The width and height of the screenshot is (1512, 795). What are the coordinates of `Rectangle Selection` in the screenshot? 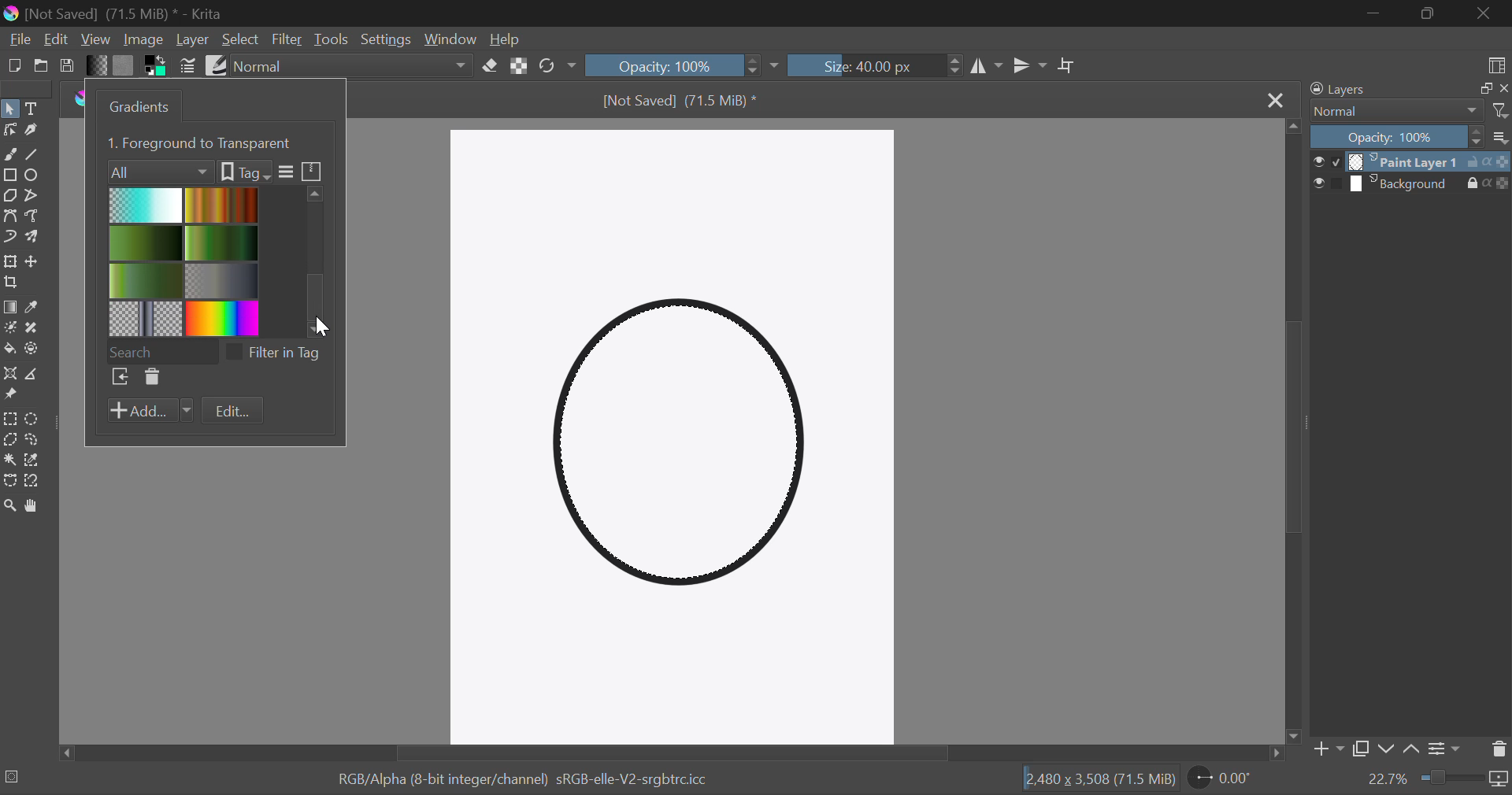 It's located at (13, 417).